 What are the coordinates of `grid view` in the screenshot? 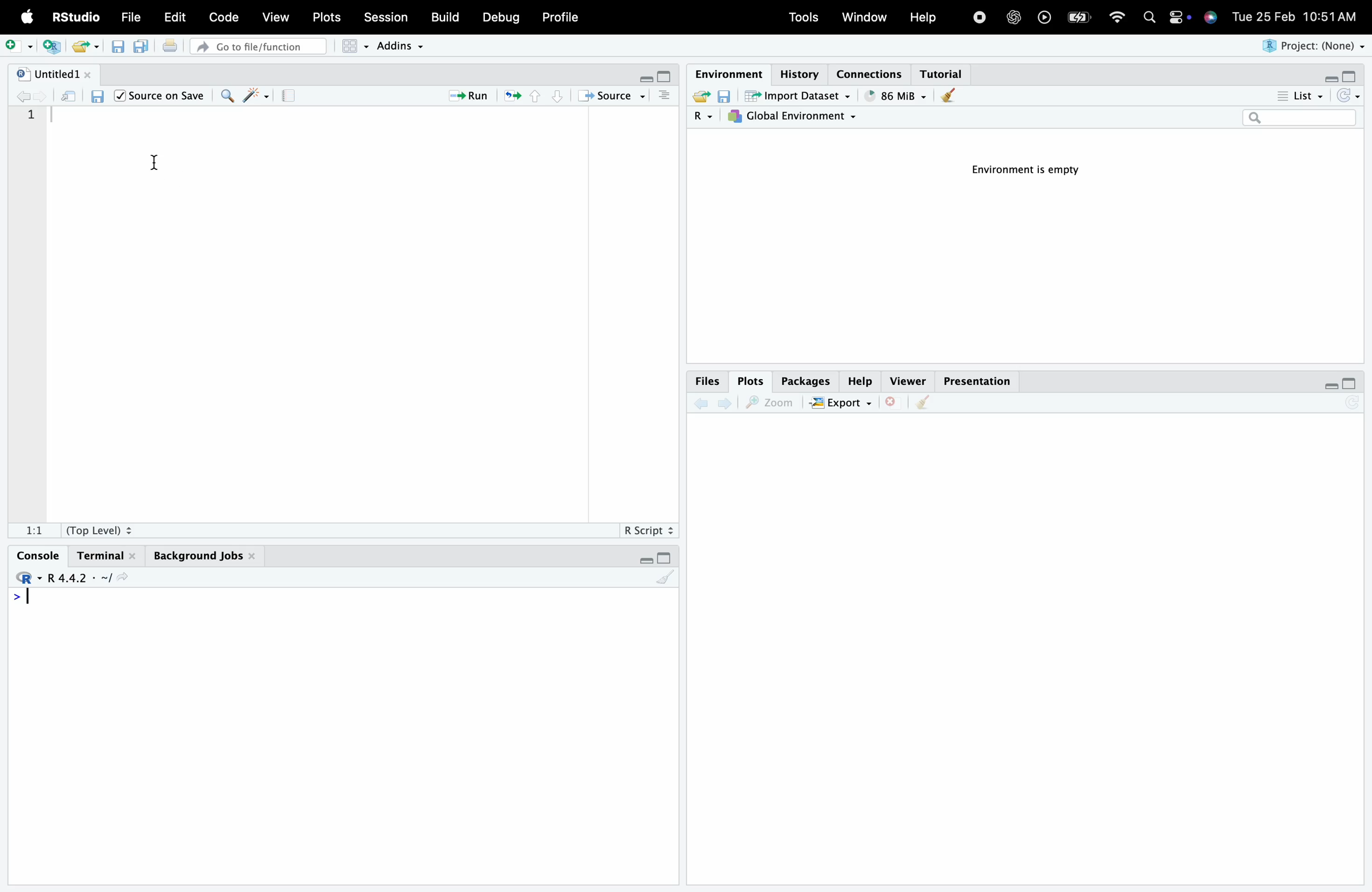 It's located at (350, 48).